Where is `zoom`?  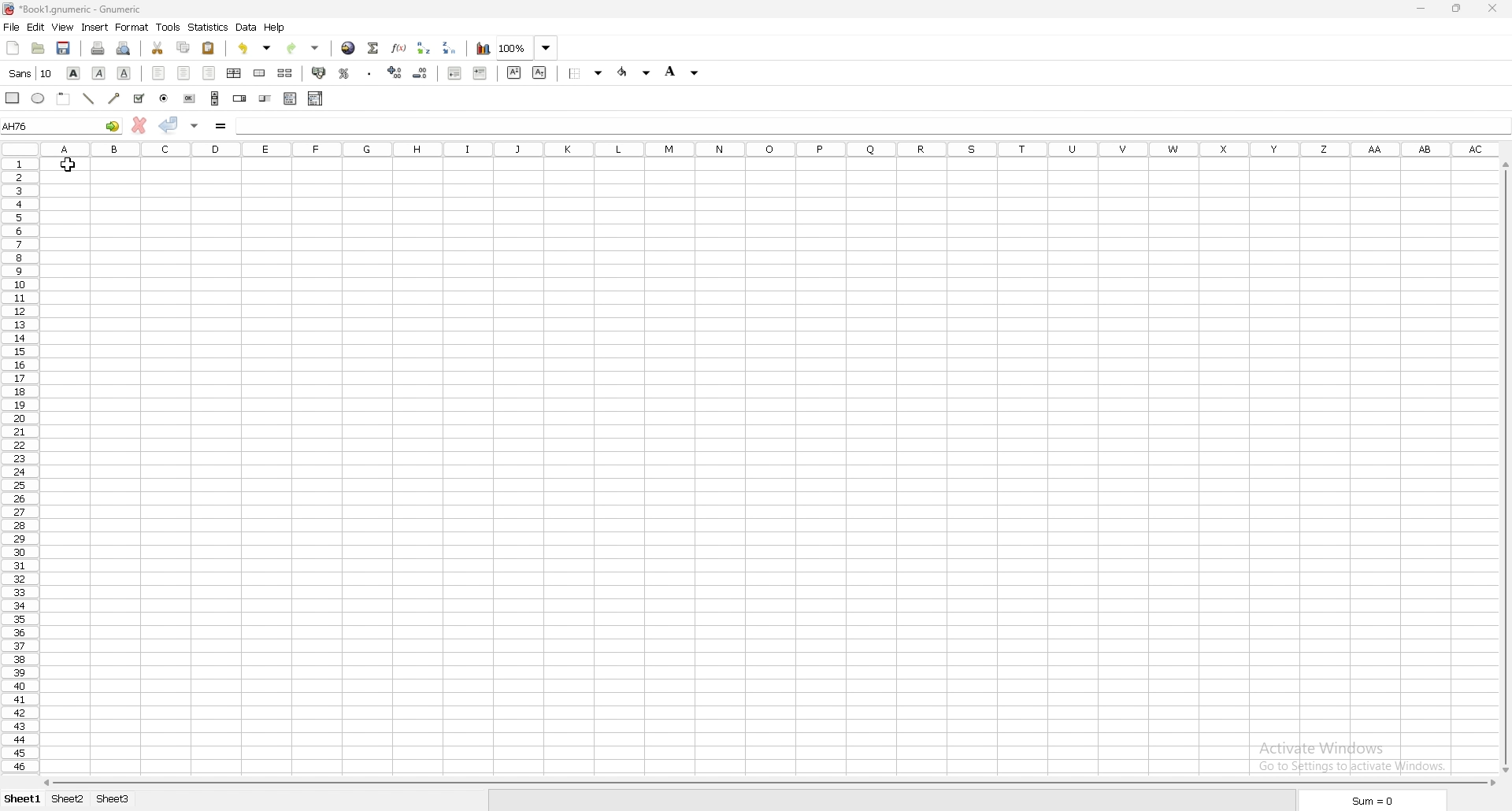 zoom is located at coordinates (528, 47).